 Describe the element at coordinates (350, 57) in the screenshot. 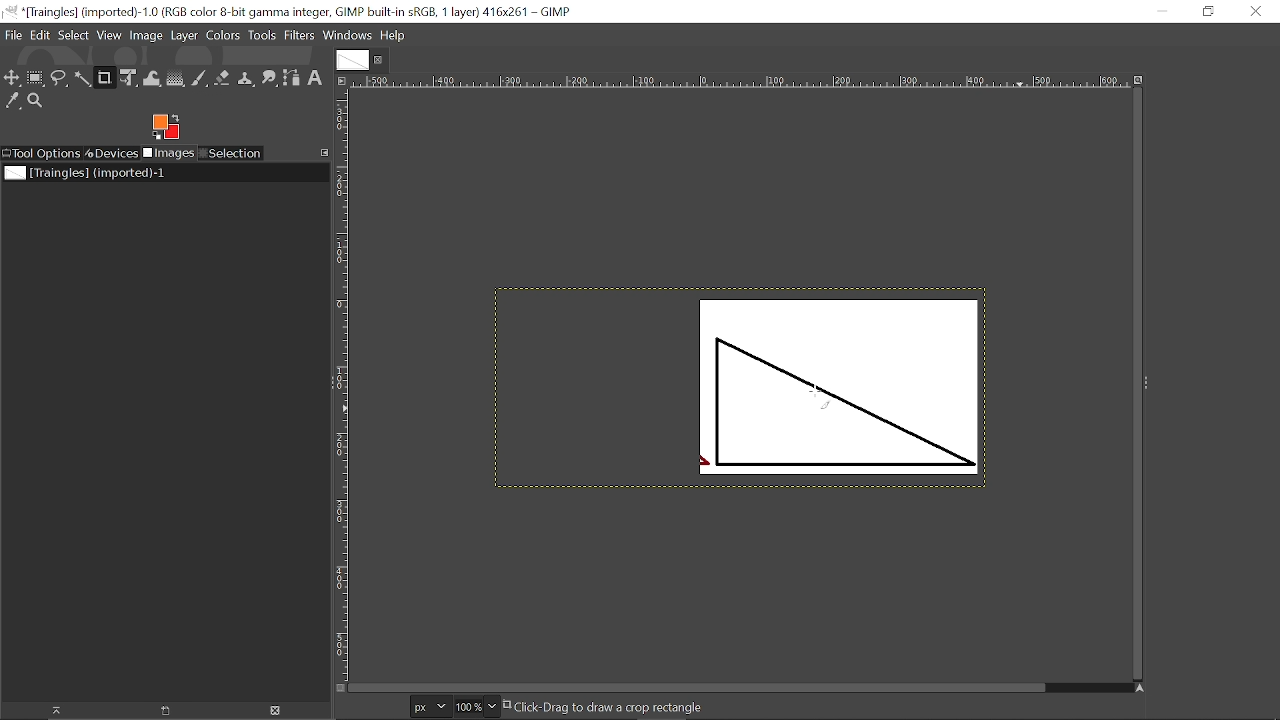

I see `Current tab` at that location.